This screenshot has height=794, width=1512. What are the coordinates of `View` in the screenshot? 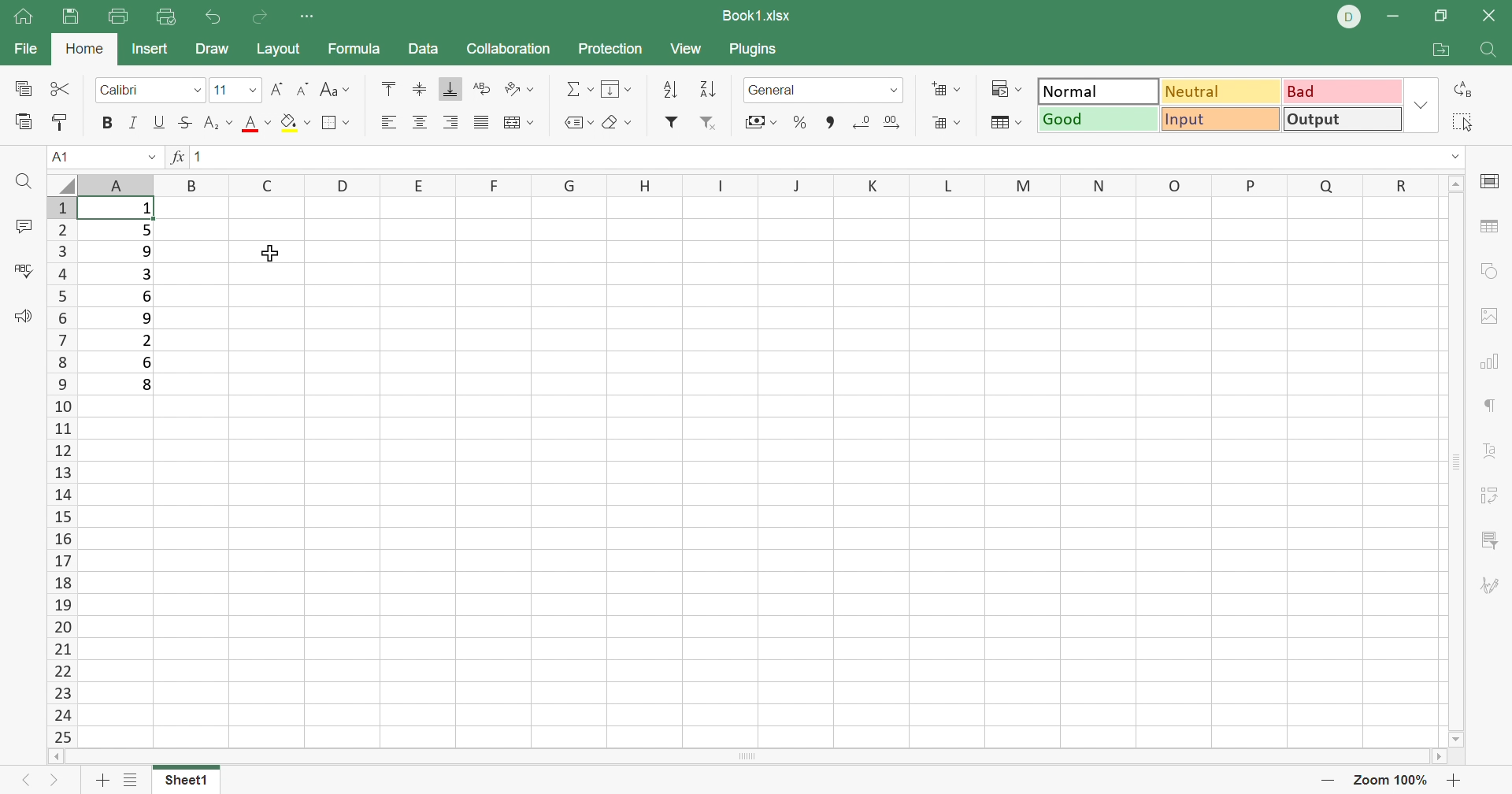 It's located at (685, 47).